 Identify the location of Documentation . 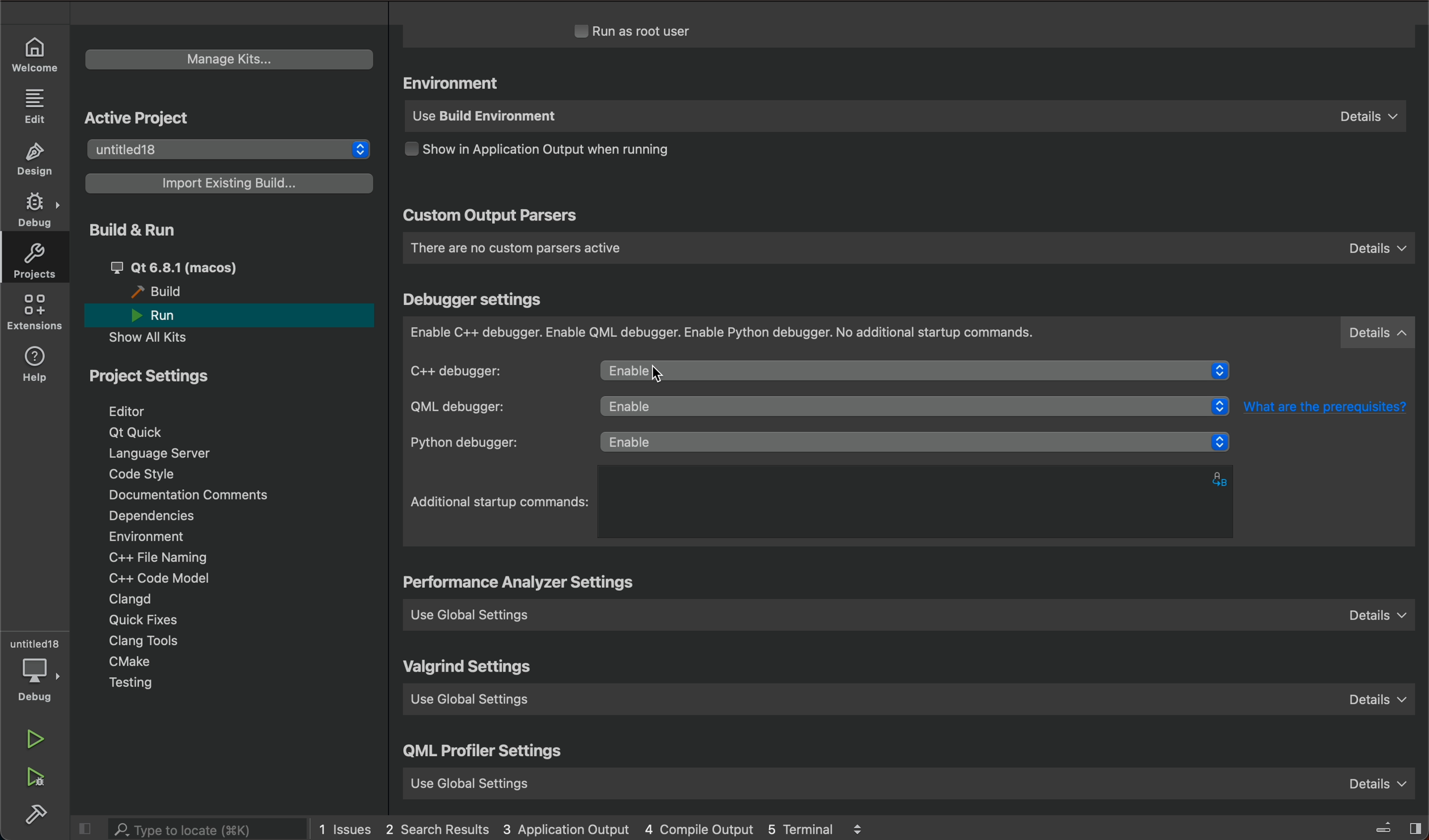
(202, 496).